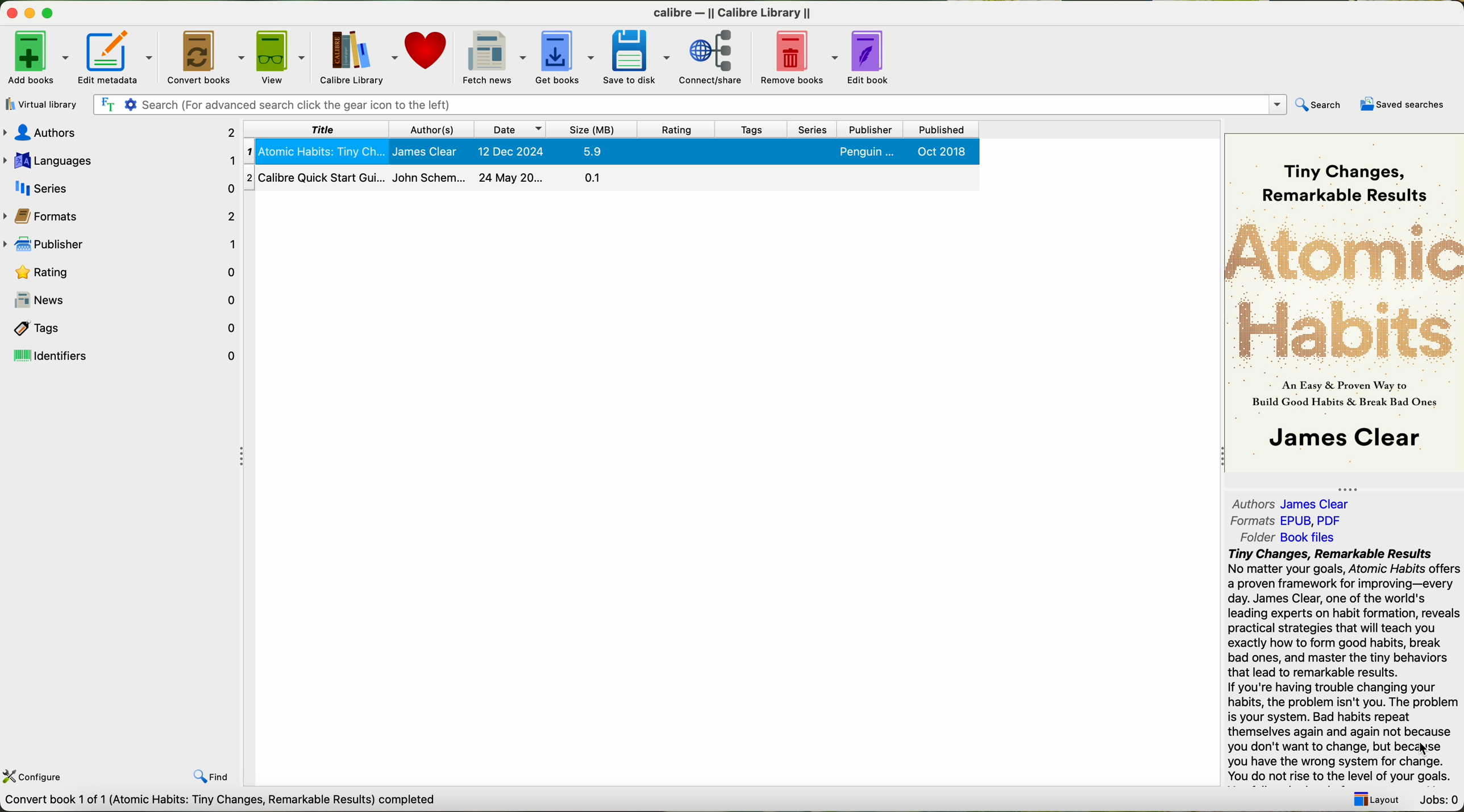 This screenshot has width=1464, height=812. Describe the element at coordinates (282, 56) in the screenshot. I see `view` at that location.